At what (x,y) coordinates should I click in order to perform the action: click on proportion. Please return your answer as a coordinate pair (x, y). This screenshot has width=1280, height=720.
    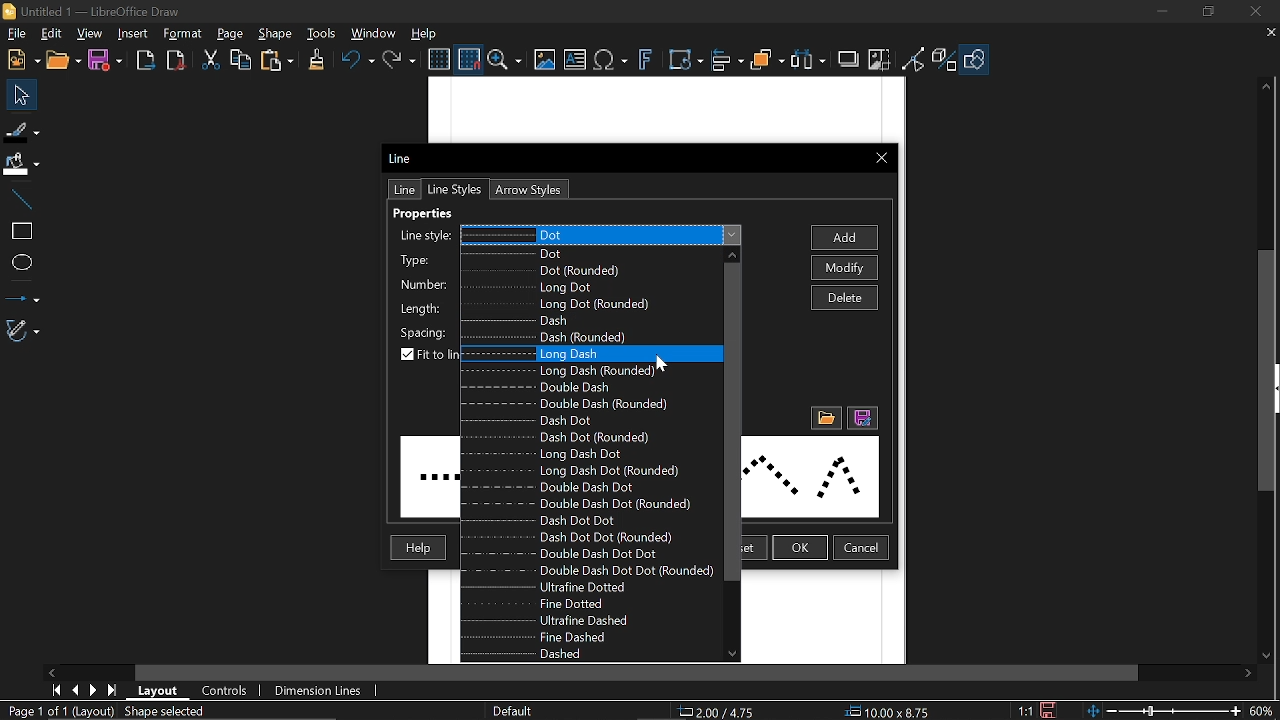
    Looking at the image, I should click on (1023, 710).